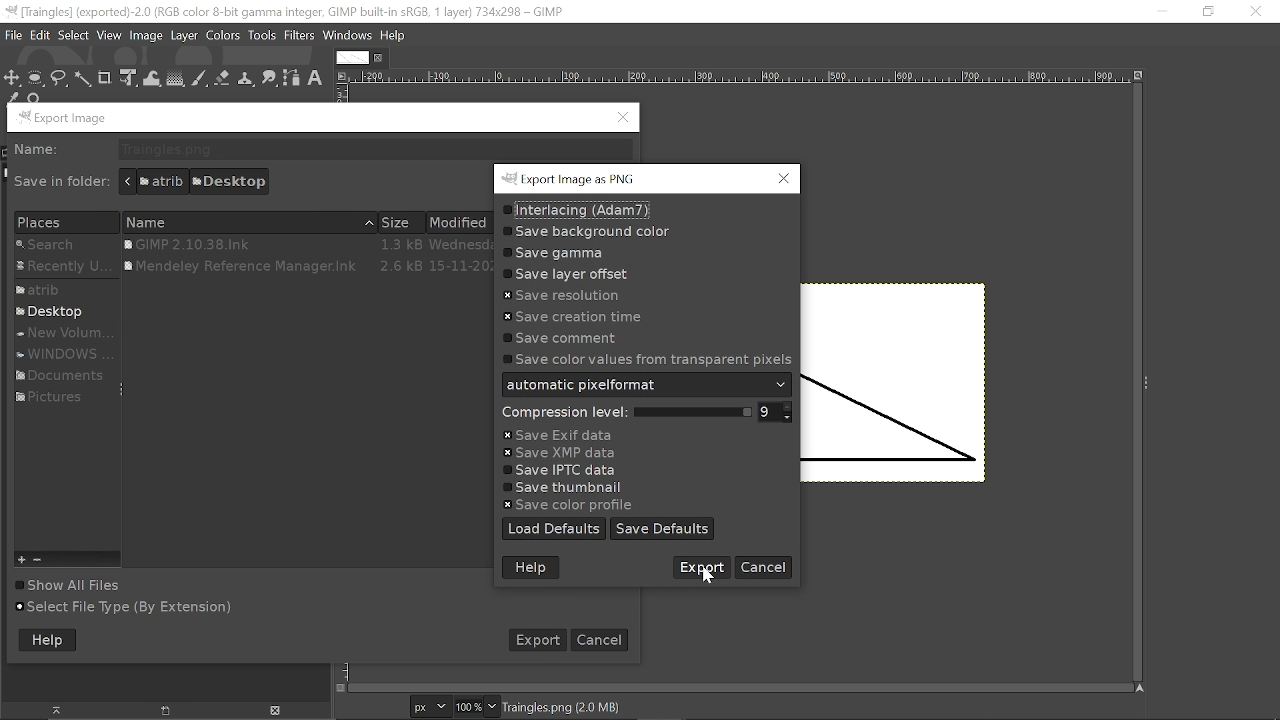 This screenshot has width=1280, height=720. Describe the element at coordinates (249, 221) in the screenshot. I see `Name of the file` at that location.